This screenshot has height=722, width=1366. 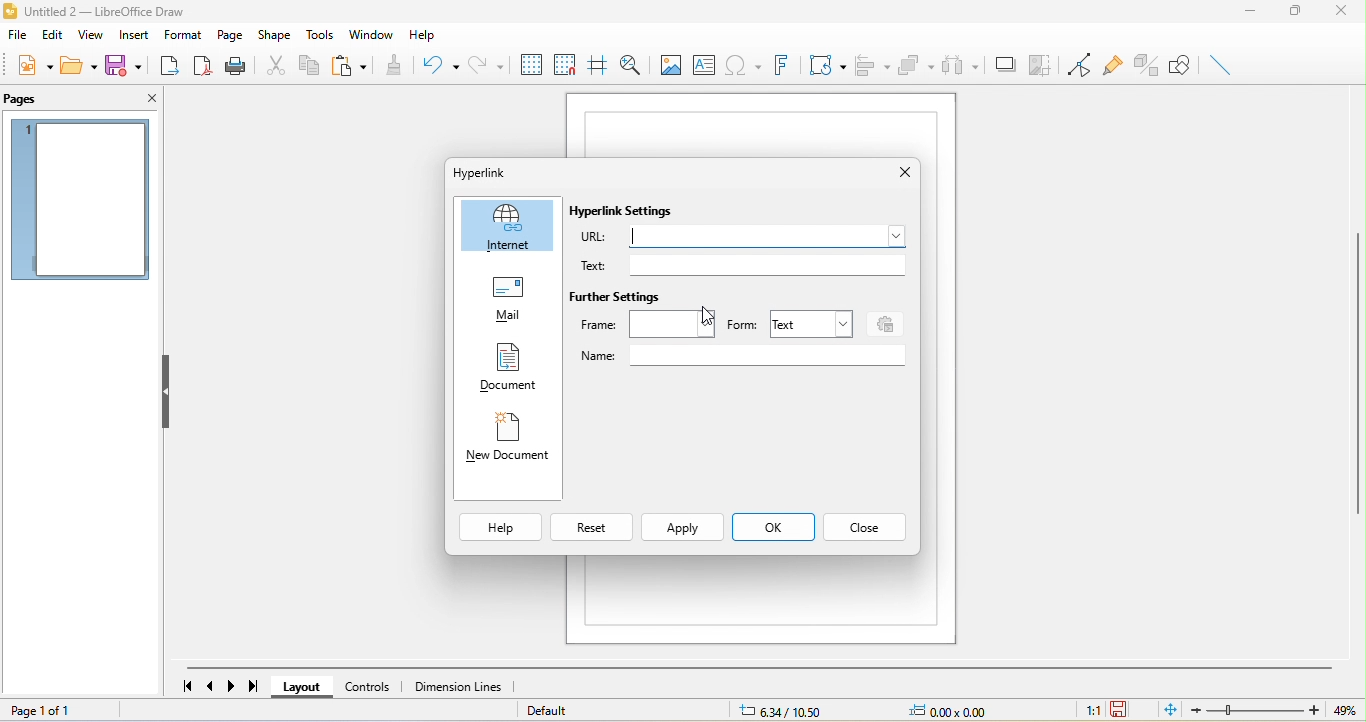 I want to click on shape, so click(x=274, y=35).